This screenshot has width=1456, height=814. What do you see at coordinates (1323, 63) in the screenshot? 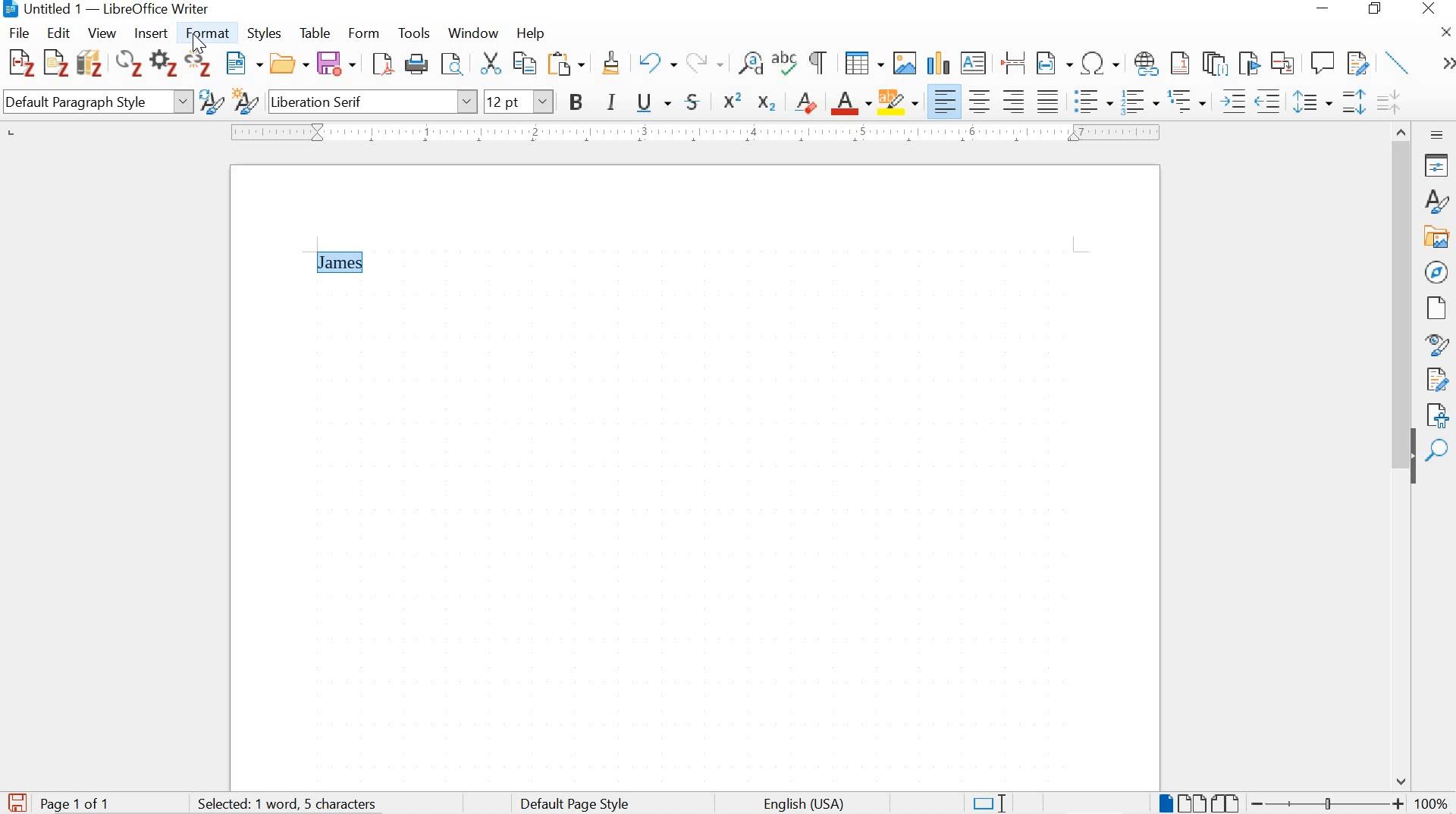
I see `insert comment` at bounding box center [1323, 63].